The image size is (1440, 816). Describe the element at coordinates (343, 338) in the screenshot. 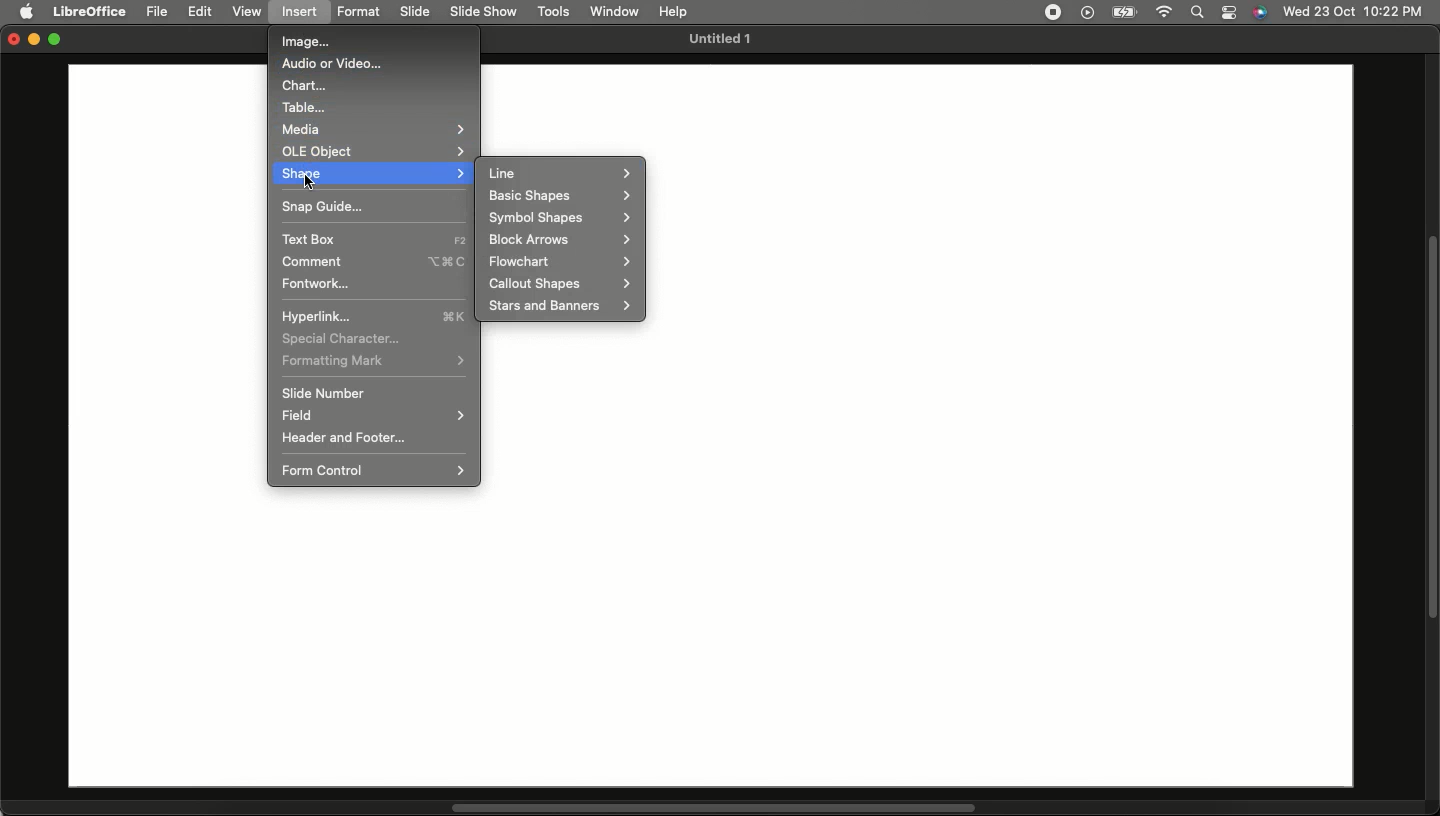

I see `Special character` at that location.